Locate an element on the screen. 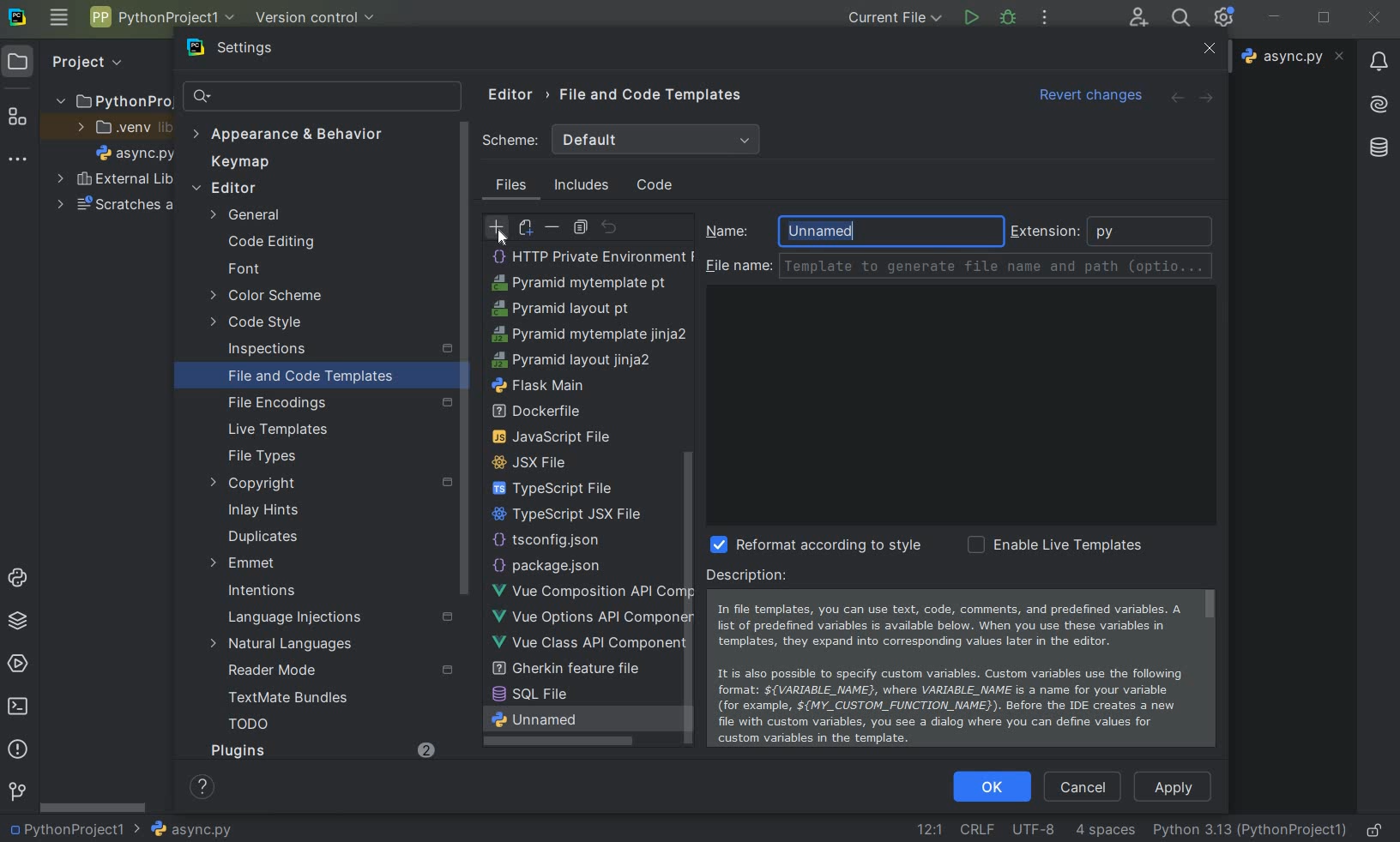  setup script is located at coordinates (549, 436).